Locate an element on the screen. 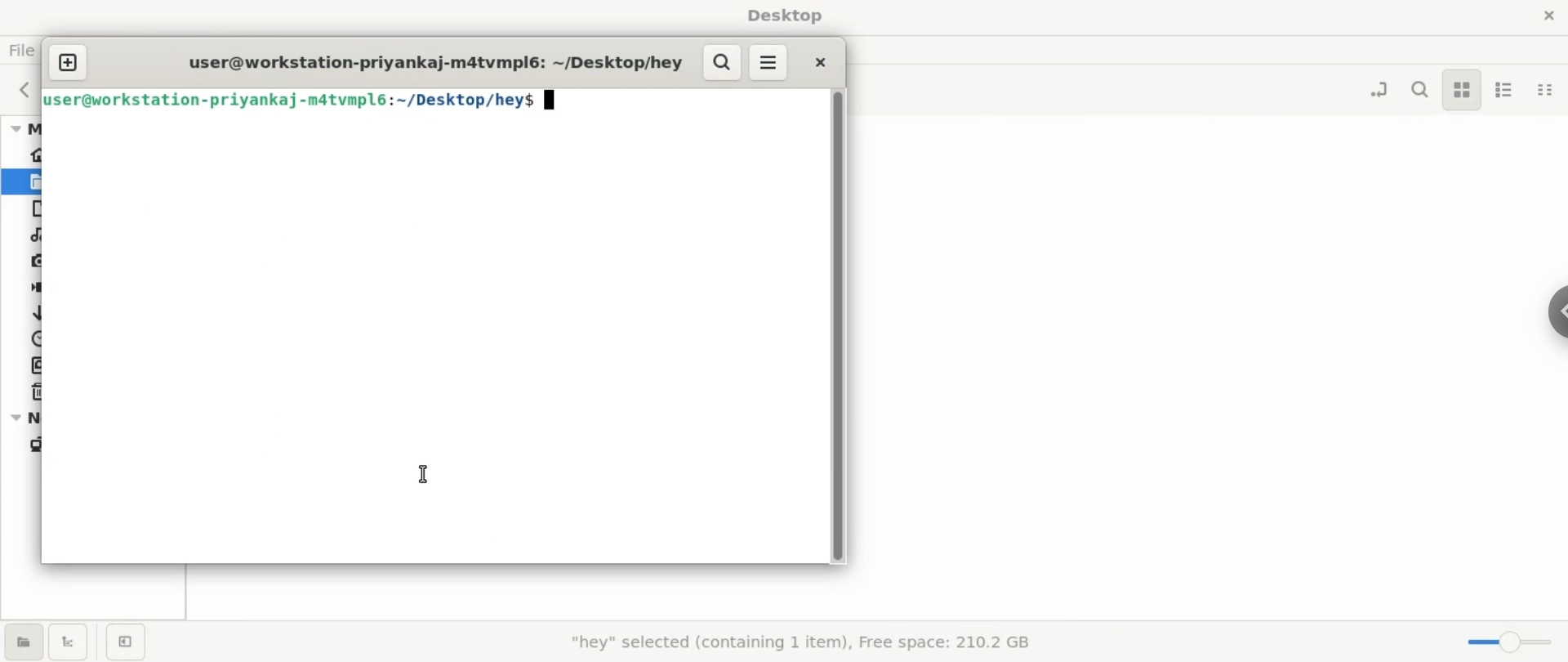 The height and width of the screenshot is (662, 1568). cursor is located at coordinates (428, 472).